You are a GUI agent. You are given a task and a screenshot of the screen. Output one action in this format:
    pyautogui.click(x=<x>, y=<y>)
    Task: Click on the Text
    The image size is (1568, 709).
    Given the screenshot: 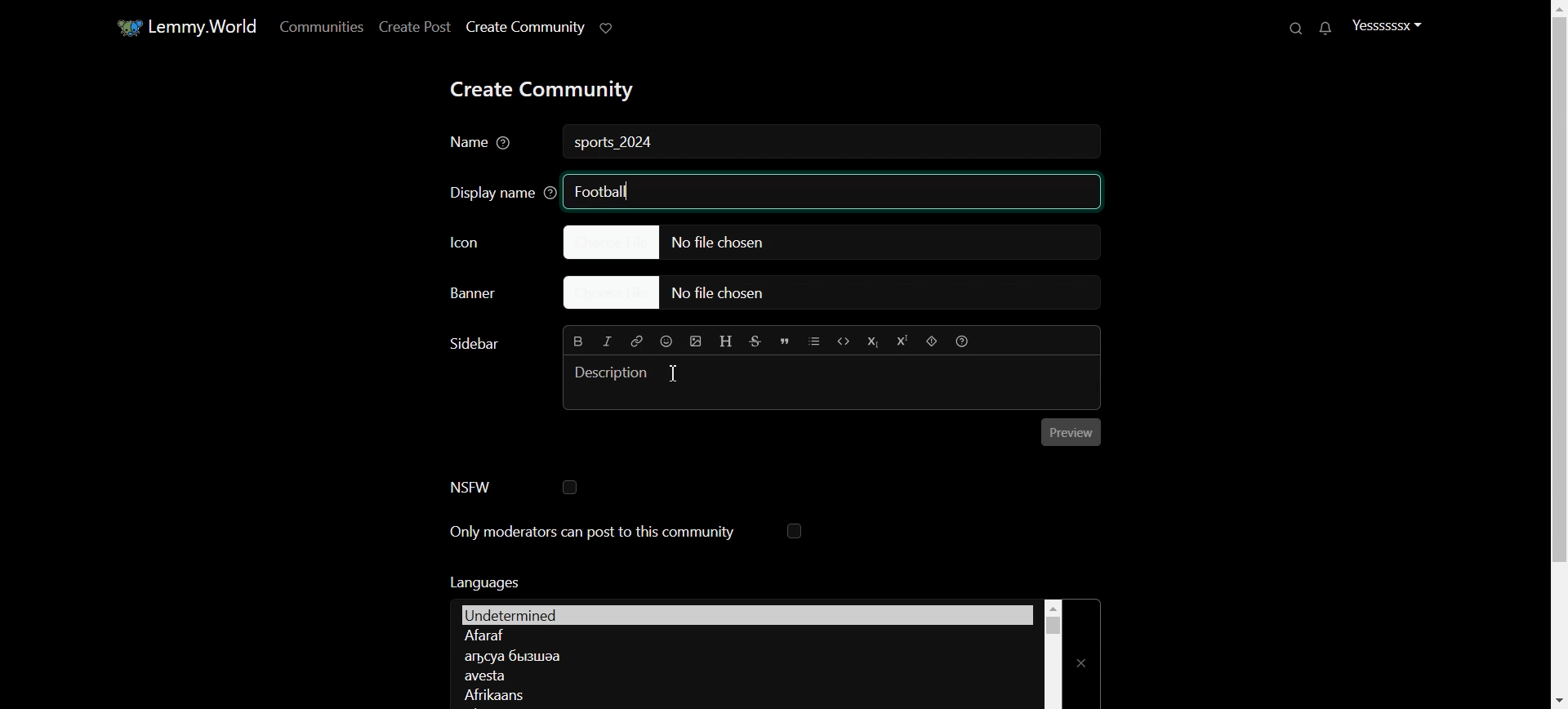 What is the action you would take?
    pyautogui.click(x=483, y=582)
    